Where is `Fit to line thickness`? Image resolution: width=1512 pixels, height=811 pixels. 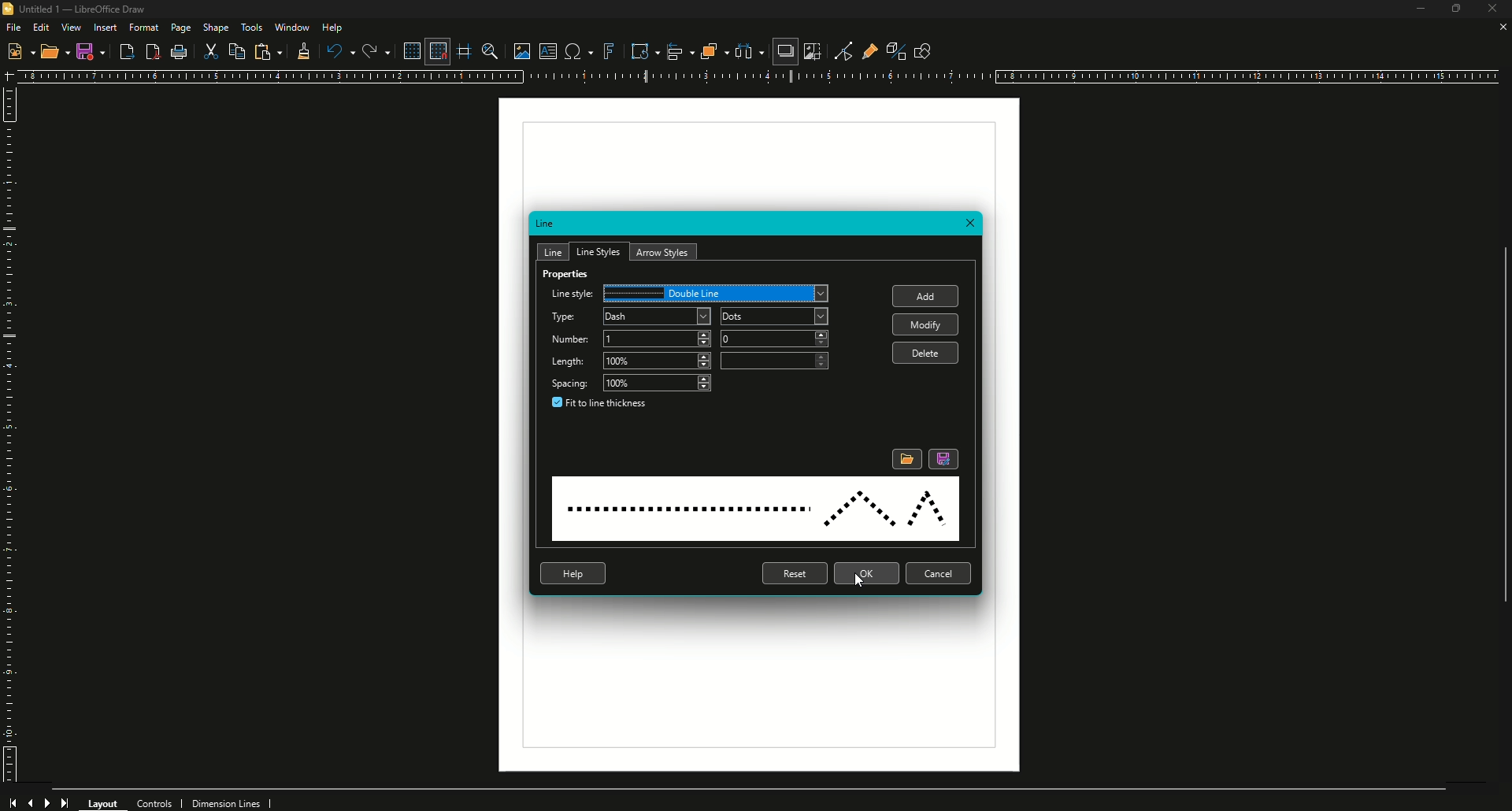 Fit to line thickness is located at coordinates (602, 405).